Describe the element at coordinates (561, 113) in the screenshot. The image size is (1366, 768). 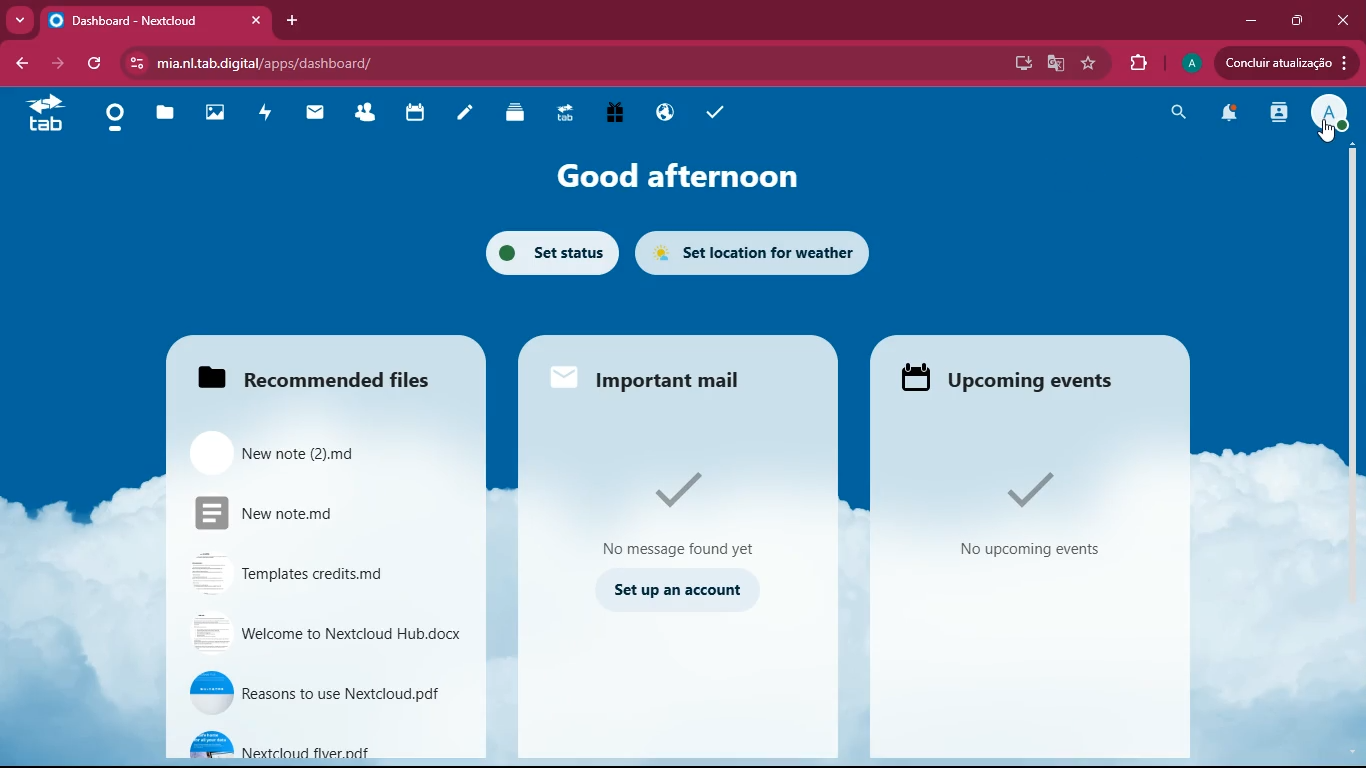
I see `tab` at that location.